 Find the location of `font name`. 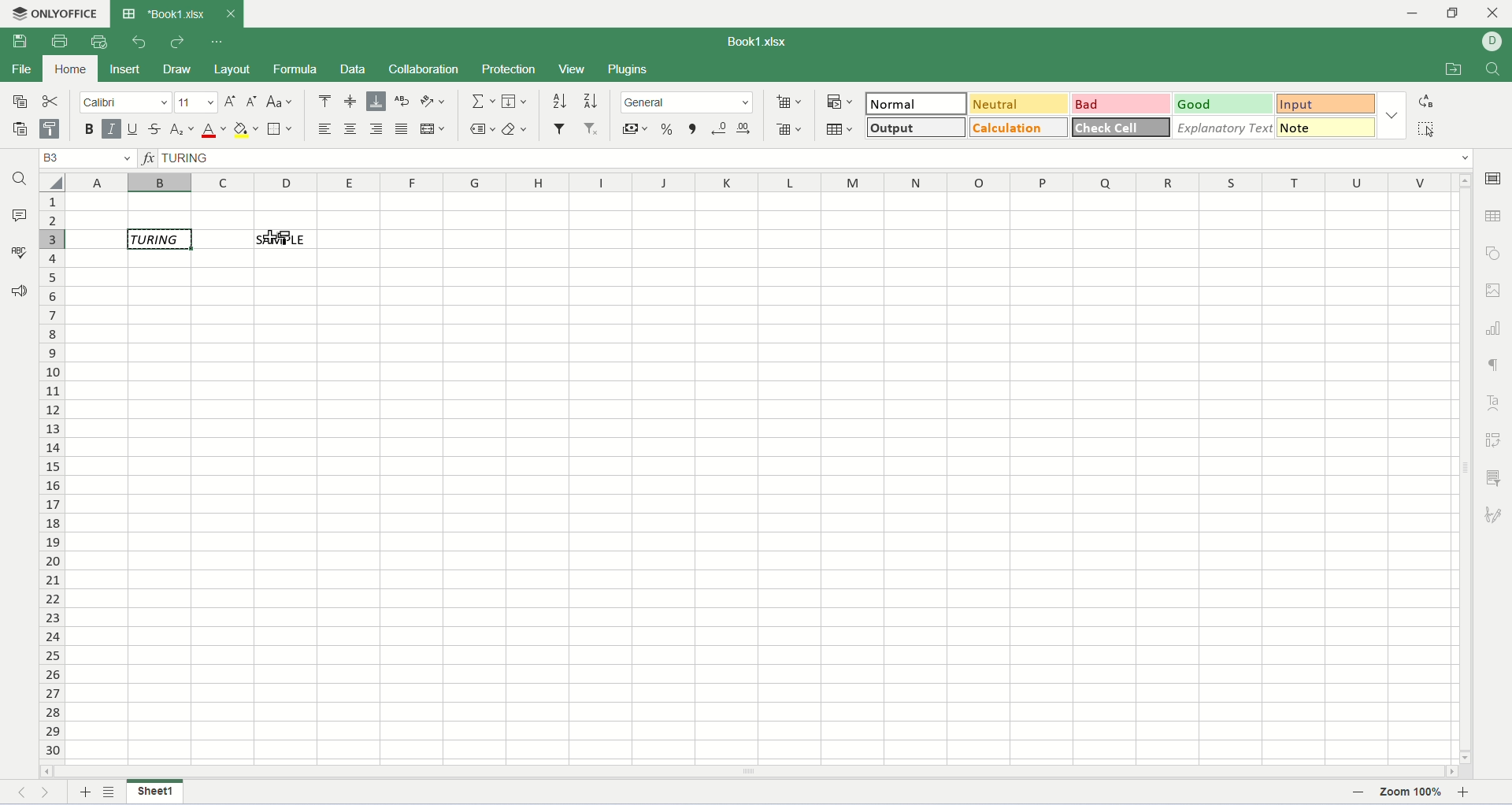

font name is located at coordinates (126, 102).